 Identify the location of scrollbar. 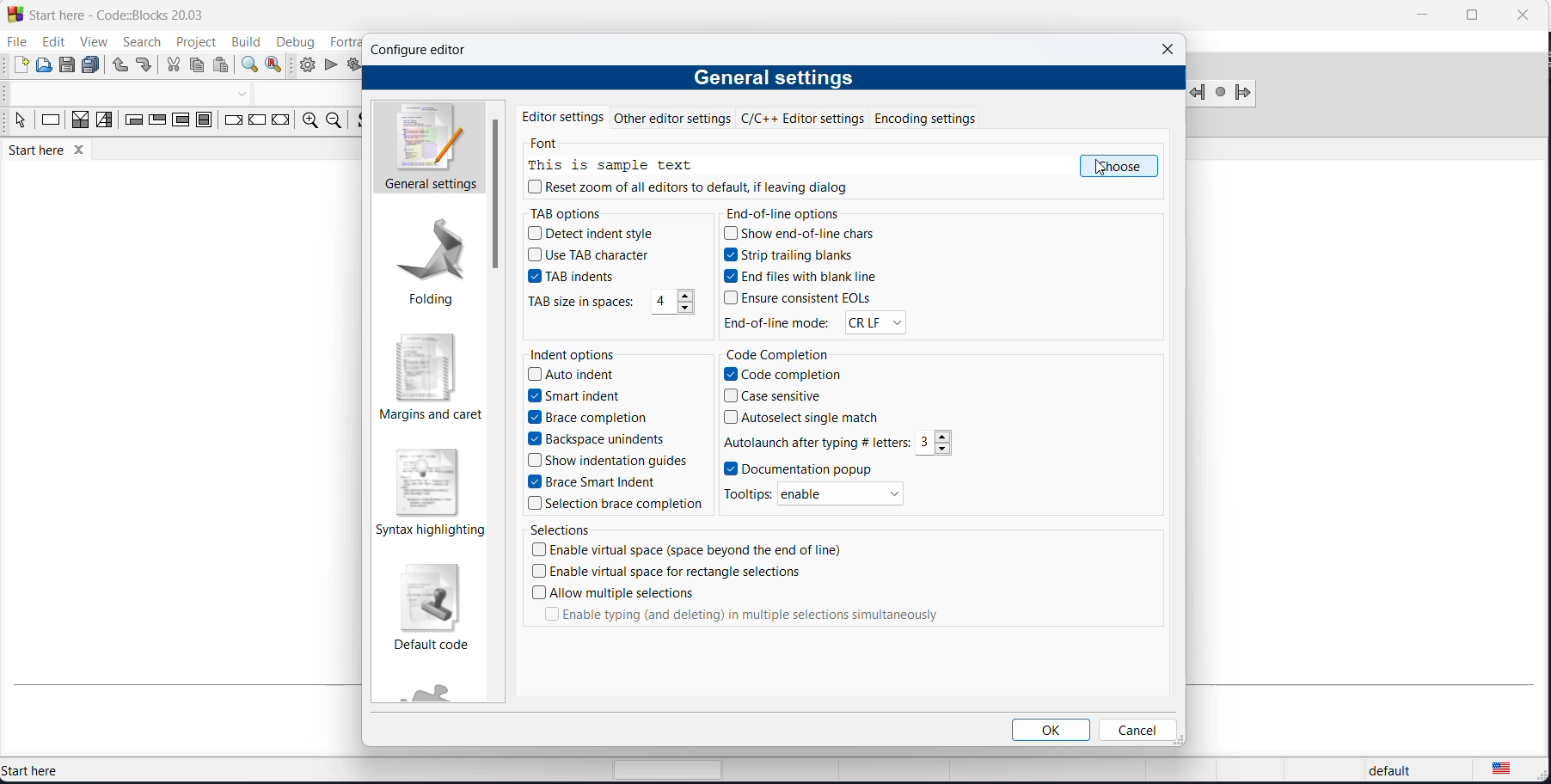
(497, 193).